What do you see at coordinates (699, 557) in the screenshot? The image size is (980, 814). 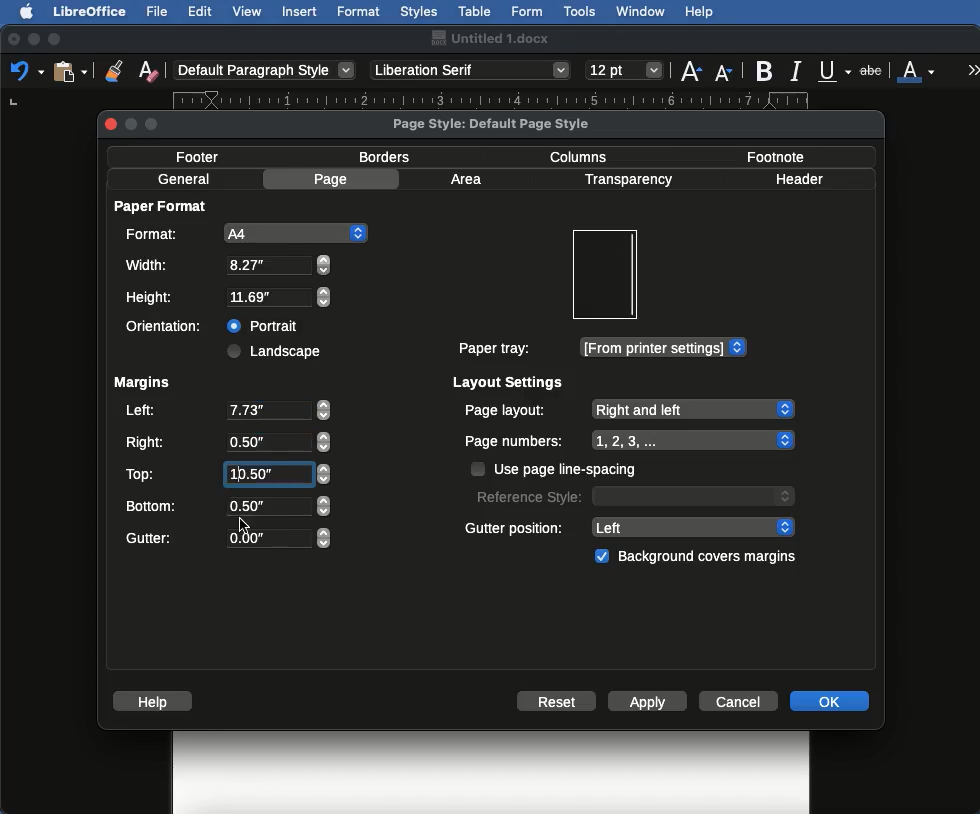 I see `Background covers margins` at bounding box center [699, 557].